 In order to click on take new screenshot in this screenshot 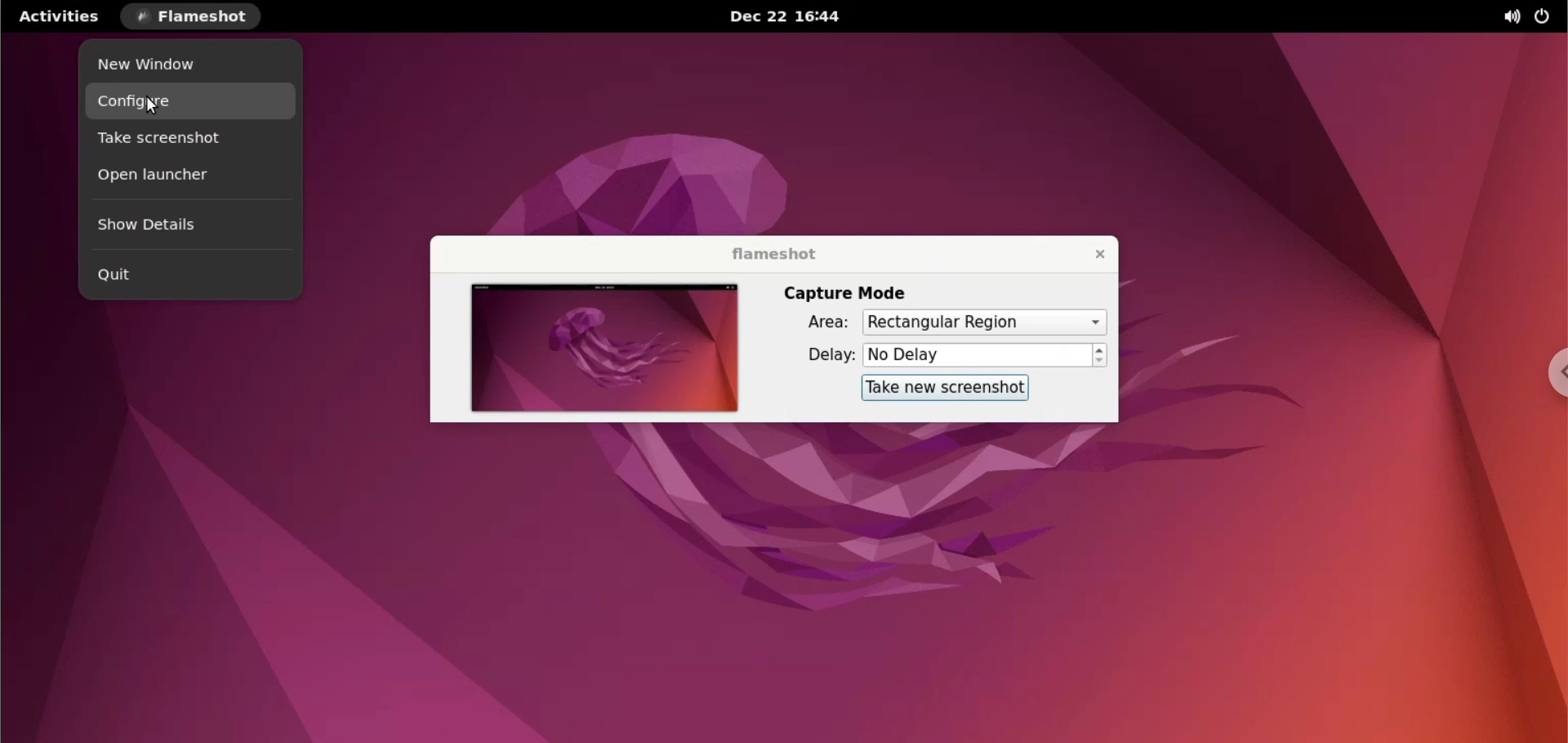, I will do `click(947, 388)`.